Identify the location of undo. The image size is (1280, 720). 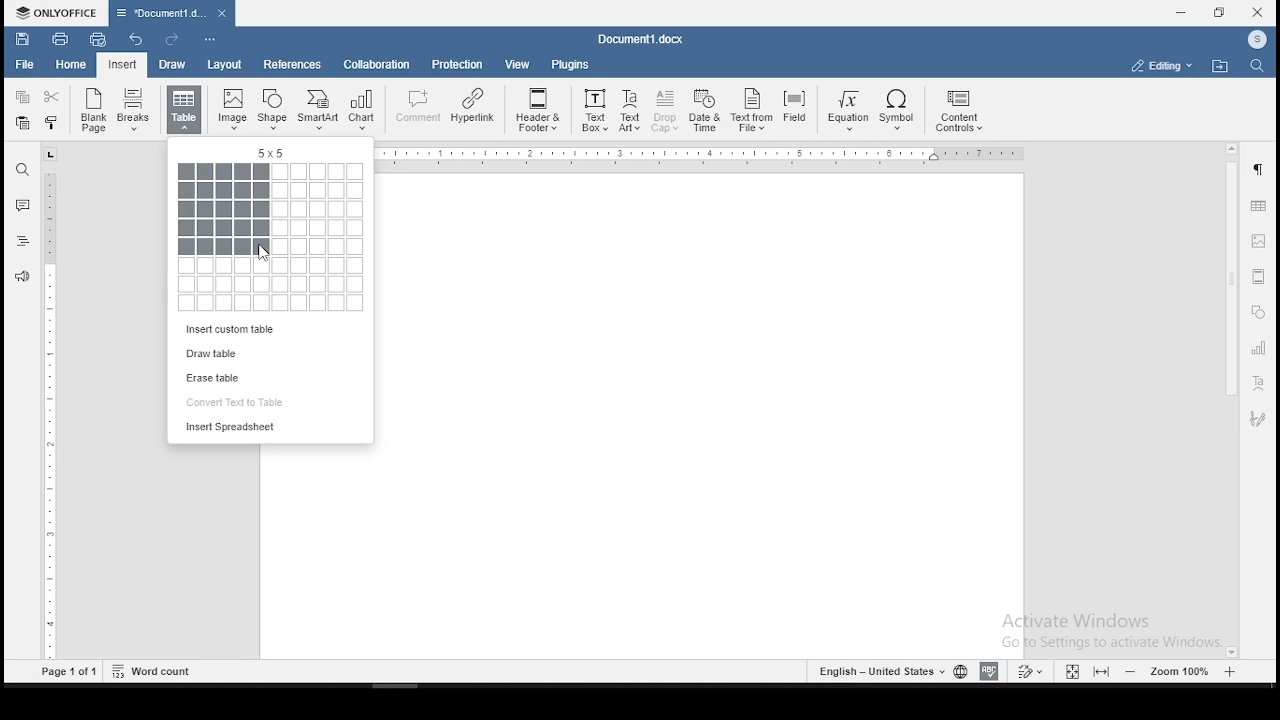
(139, 41).